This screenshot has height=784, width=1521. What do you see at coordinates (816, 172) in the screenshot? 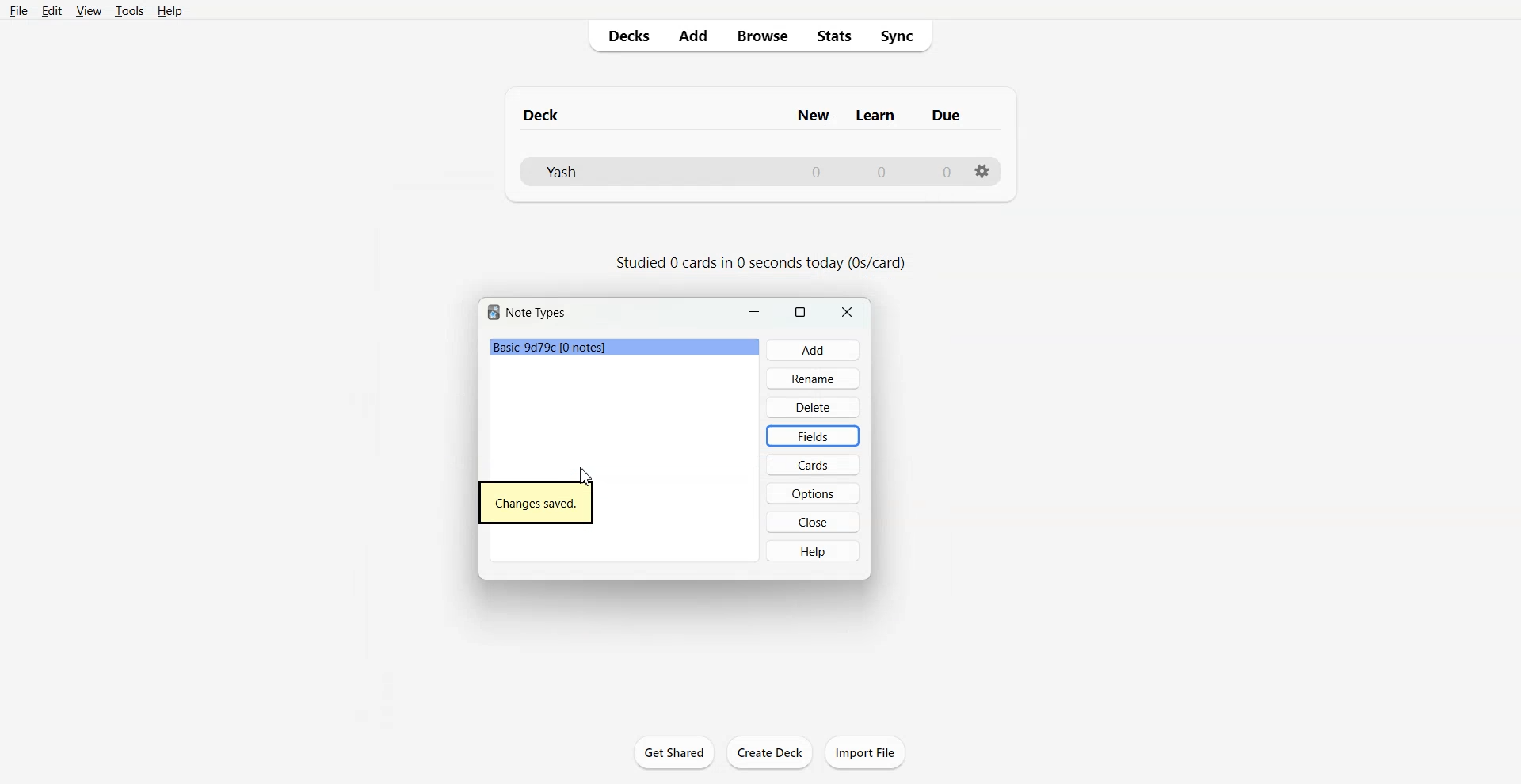
I see `Number of New cards` at bounding box center [816, 172].